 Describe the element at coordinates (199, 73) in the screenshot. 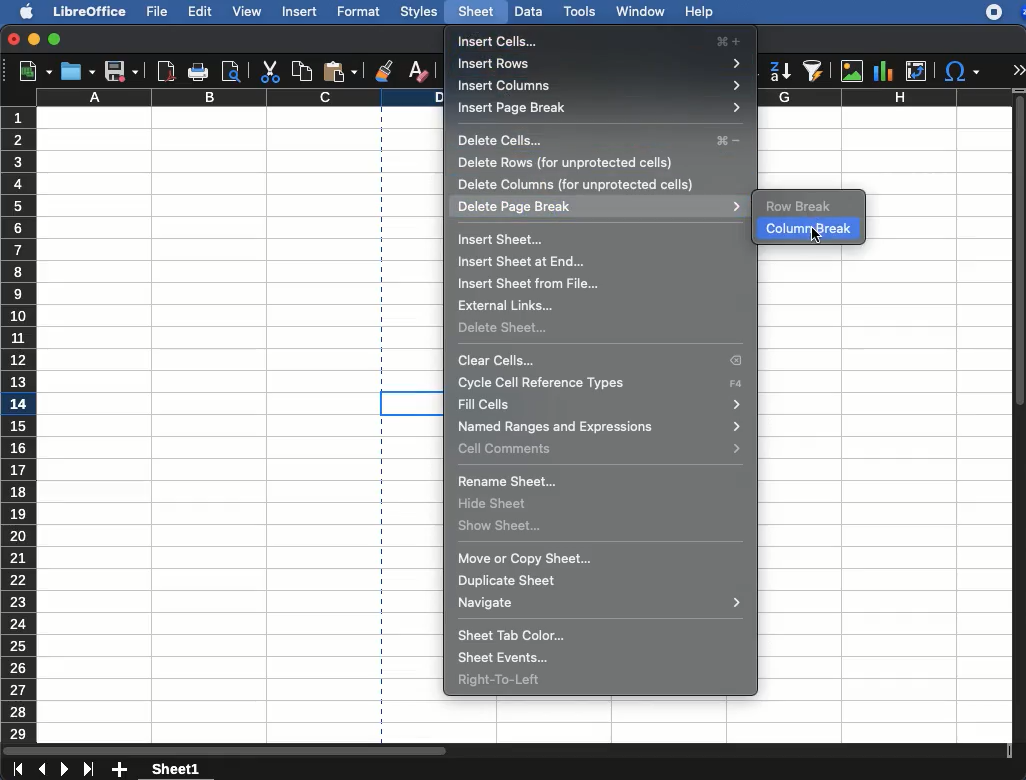

I see `print` at that location.